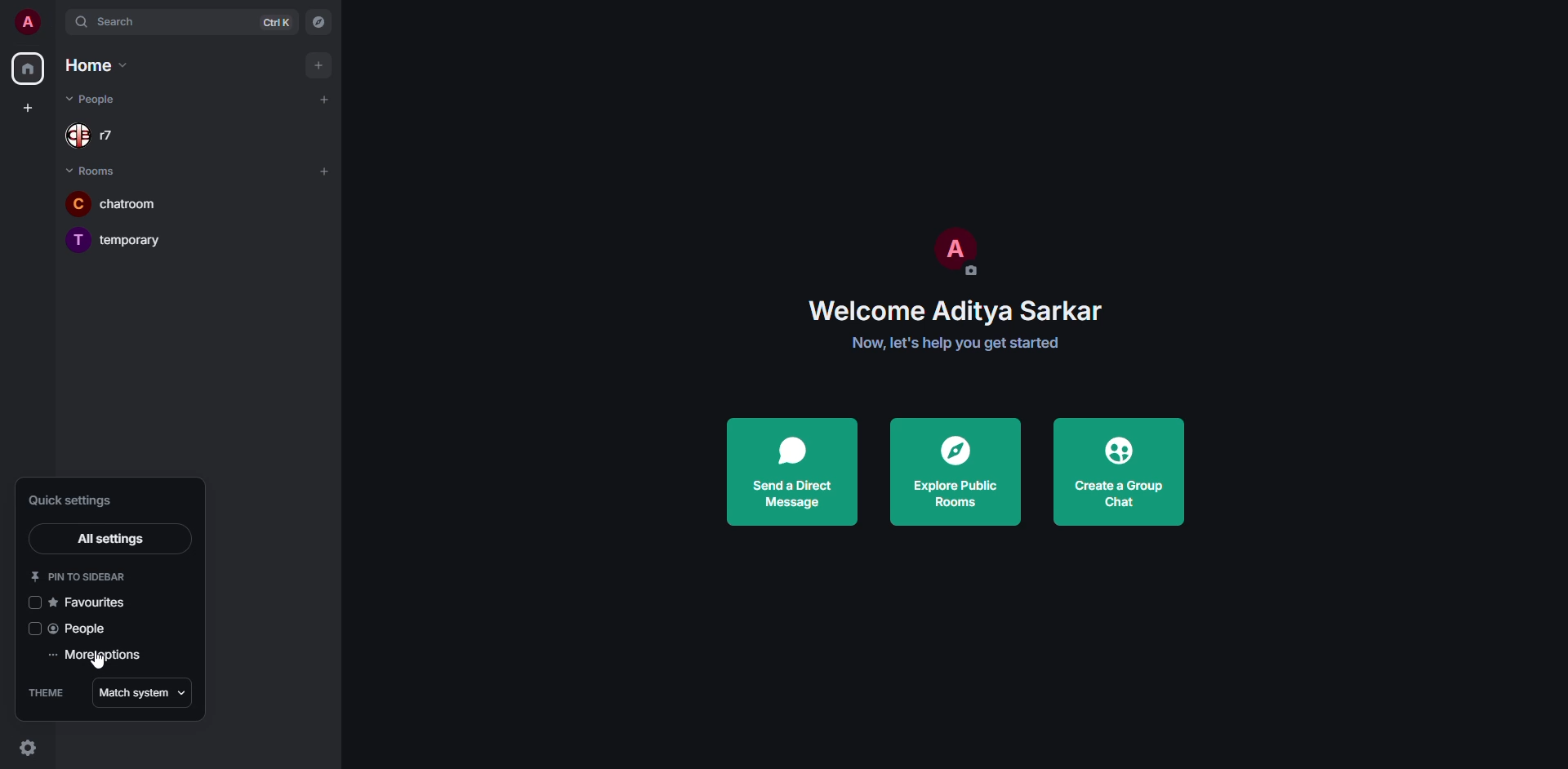 This screenshot has width=1568, height=769. Describe the element at coordinates (28, 69) in the screenshot. I see `home` at that location.